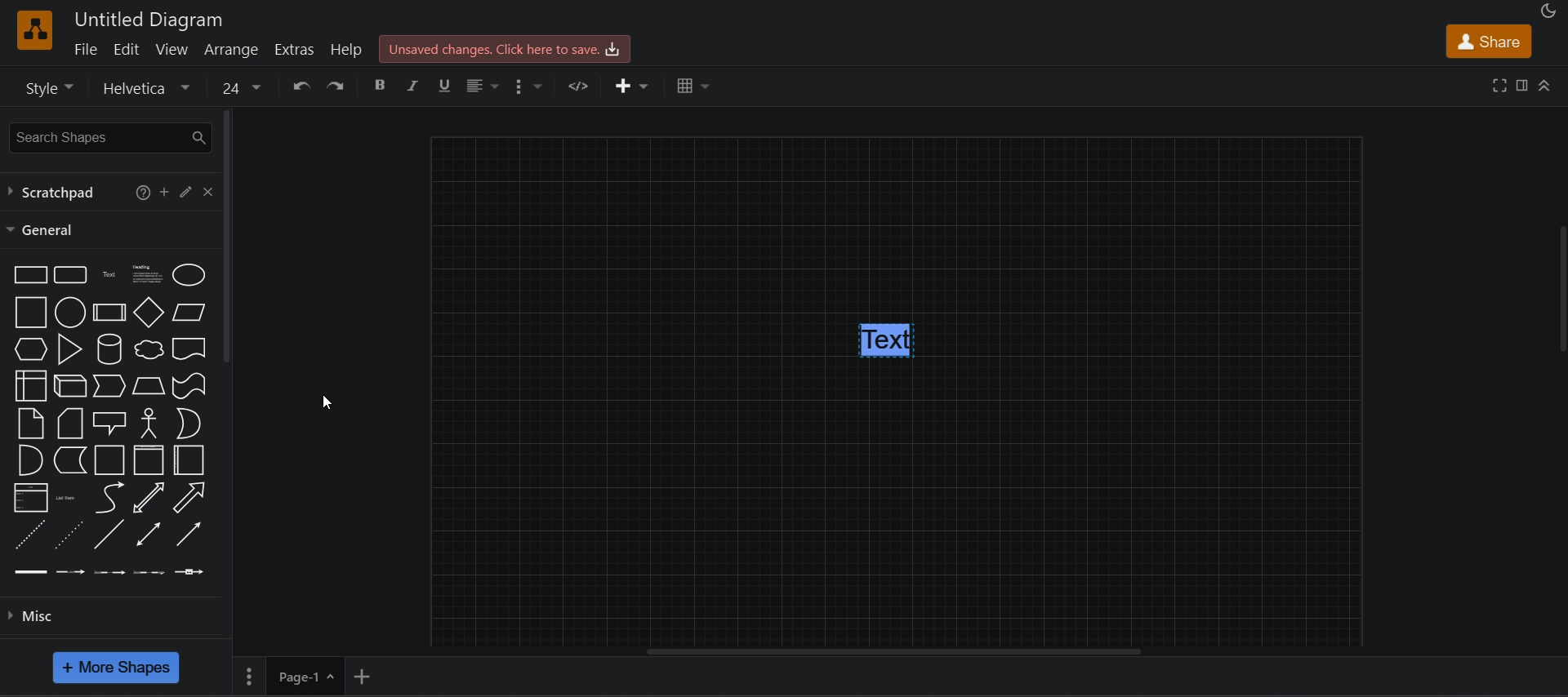 The image size is (1568, 697). Describe the element at coordinates (164, 191) in the screenshot. I see `add` at that location.